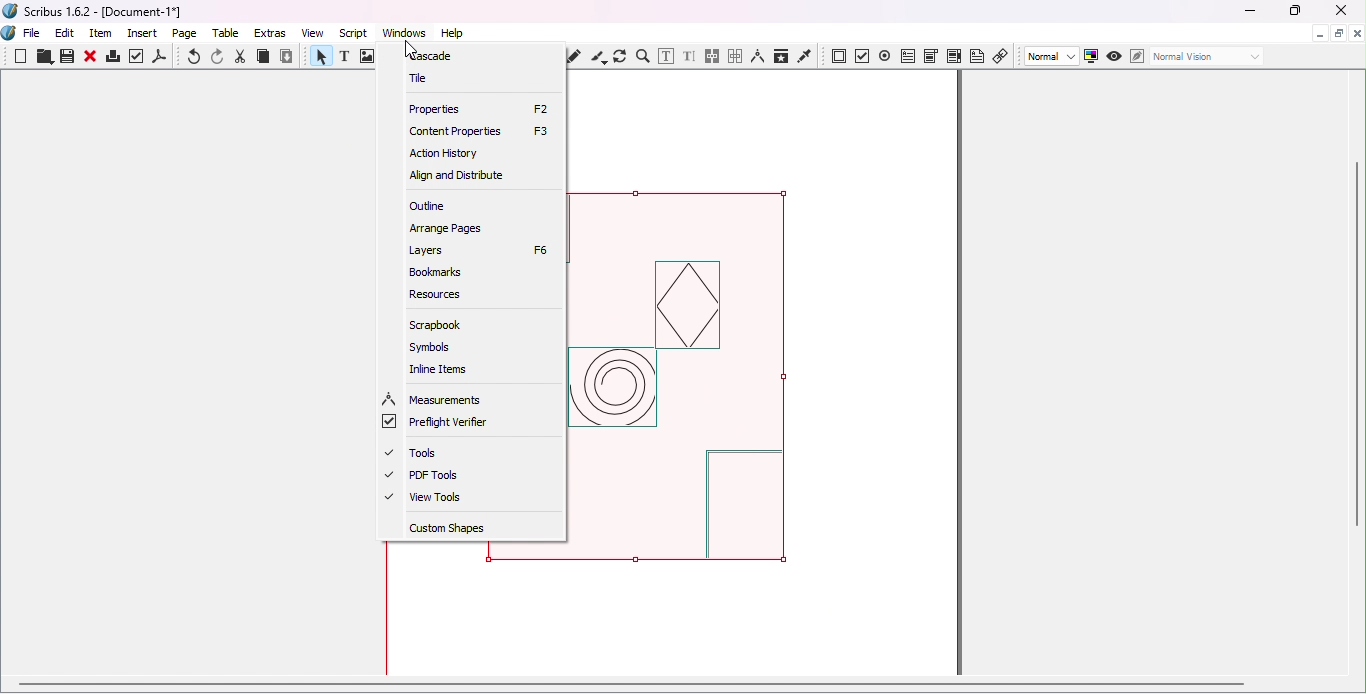 This screenshot has height=694, width=1366. I want to click on PDF radio button, so click(885, 55).